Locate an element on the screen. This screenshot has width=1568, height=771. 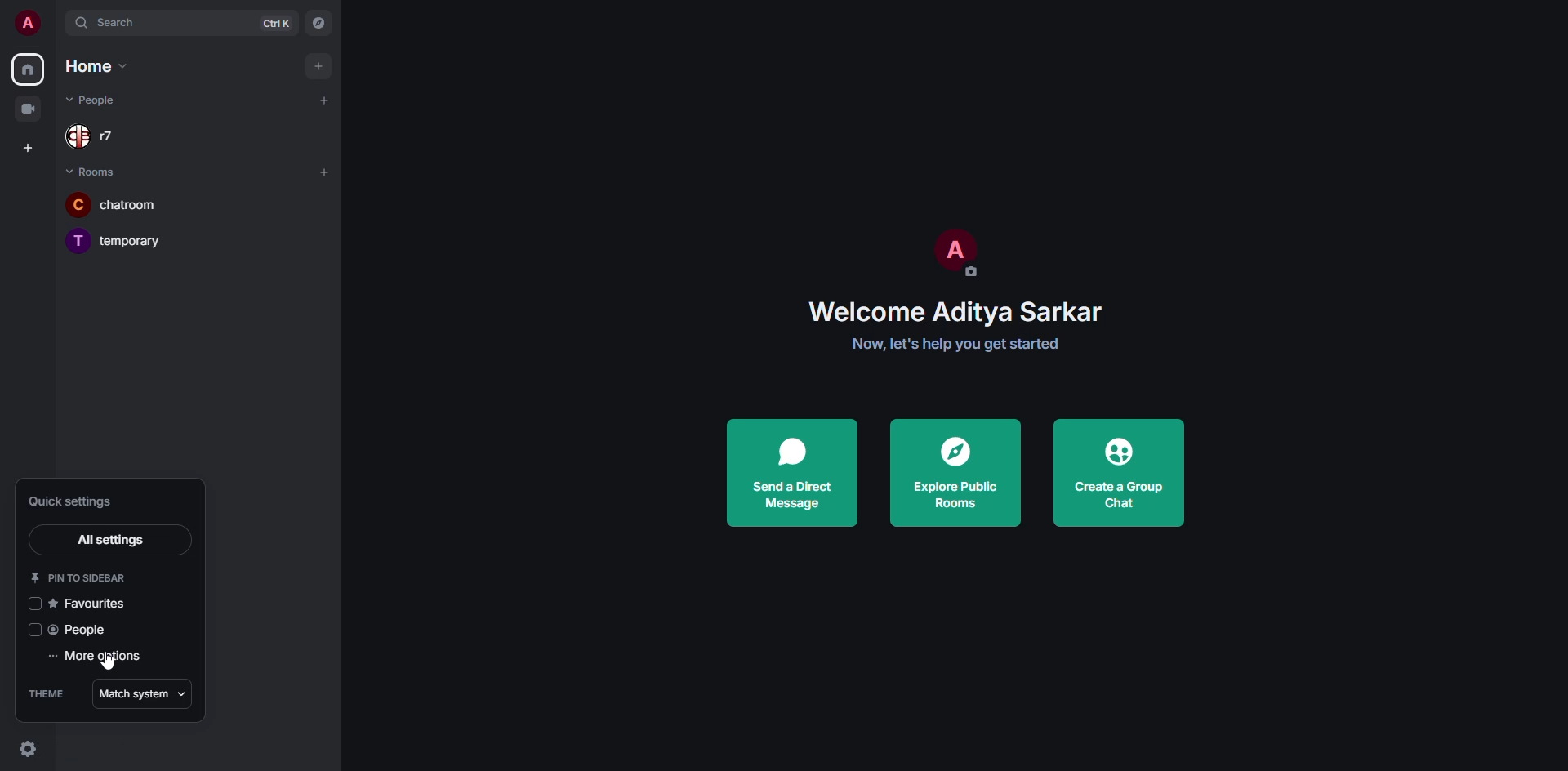
favorites is located at coordinates (94, 604).